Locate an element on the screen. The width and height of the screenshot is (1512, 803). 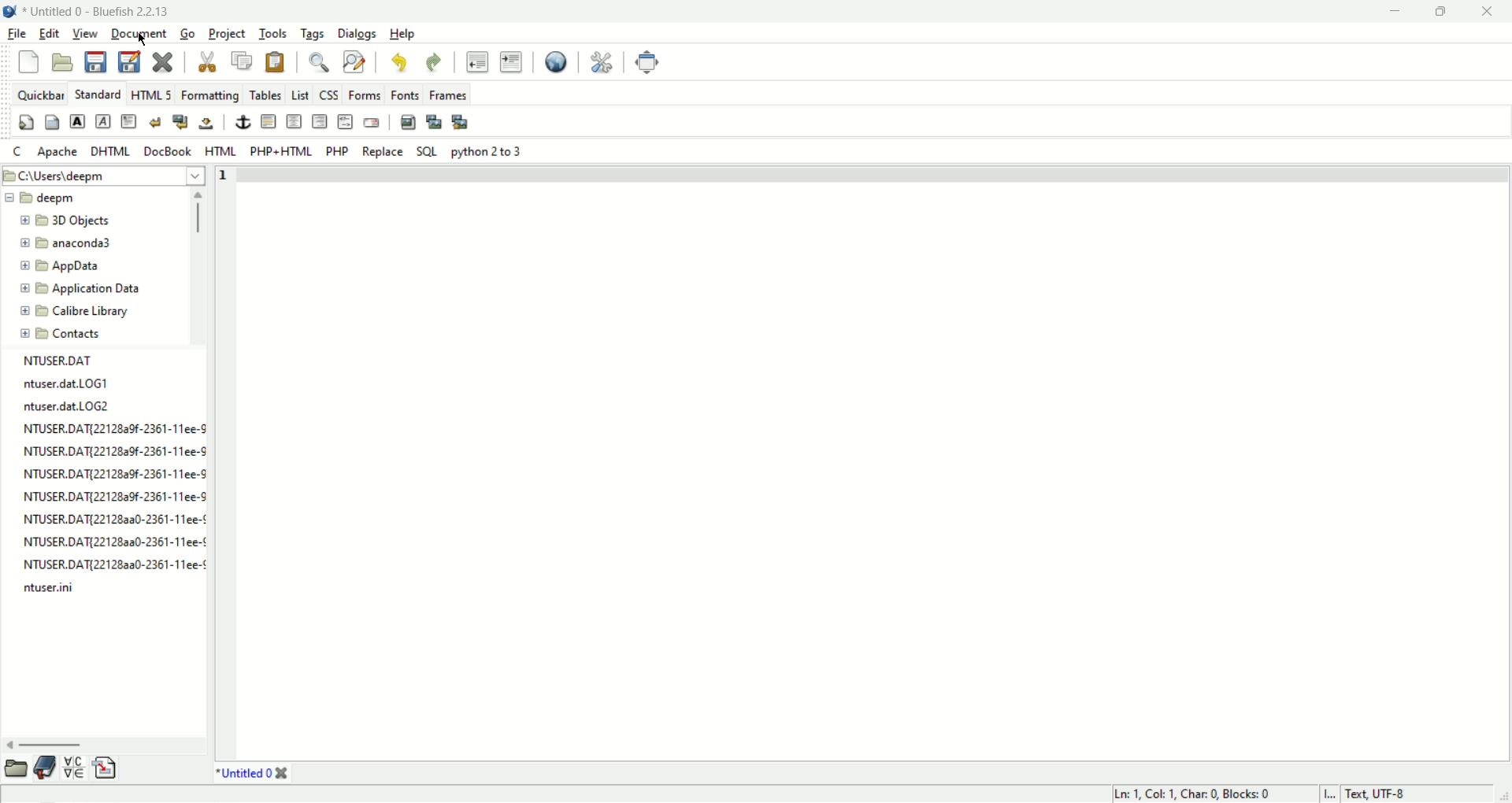
close is located at coordinates (284, 773).